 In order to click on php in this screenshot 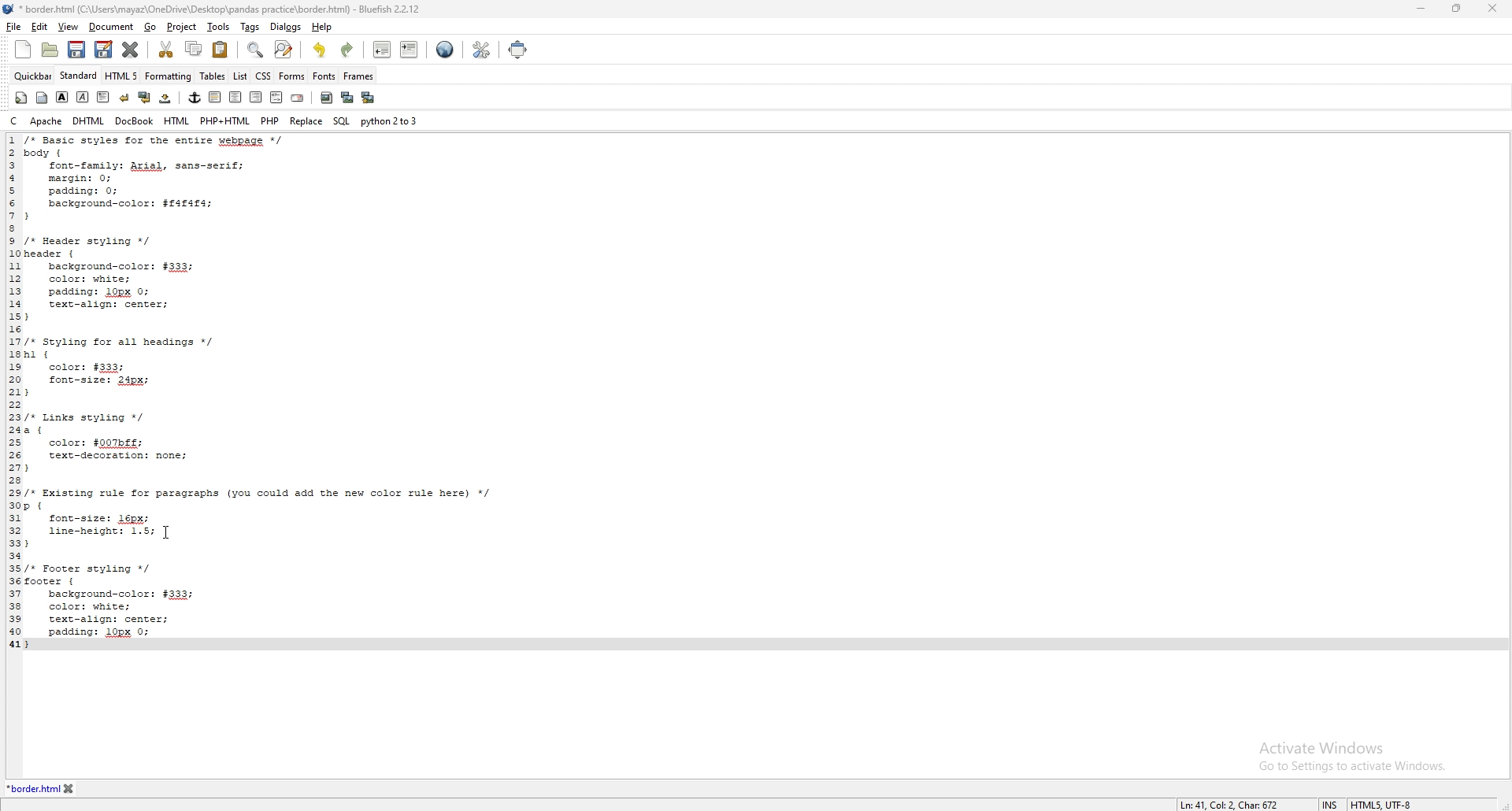, I will do `click(270, 120)`.